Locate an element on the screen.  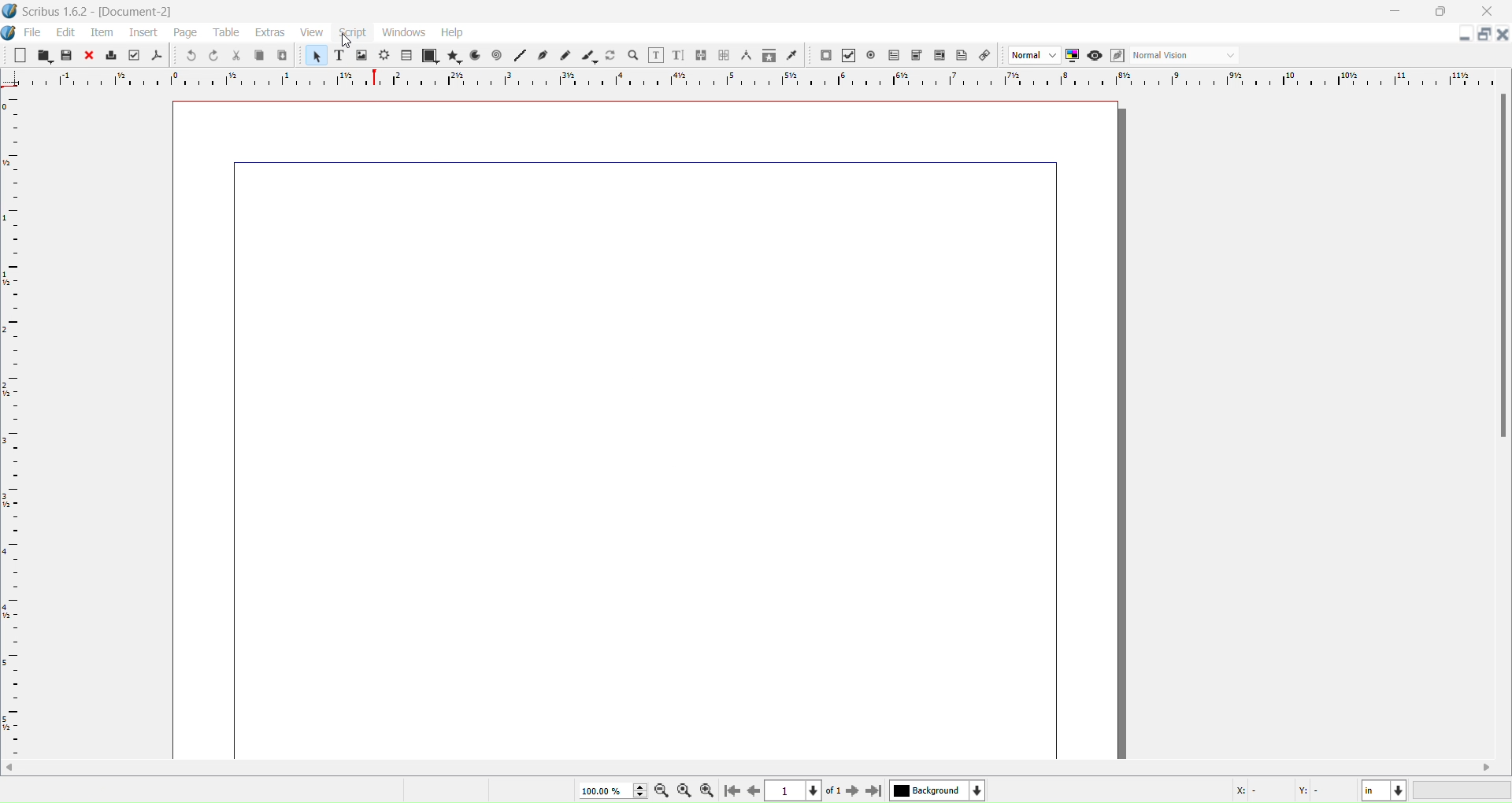
Close is located at coordinates (87, 56).